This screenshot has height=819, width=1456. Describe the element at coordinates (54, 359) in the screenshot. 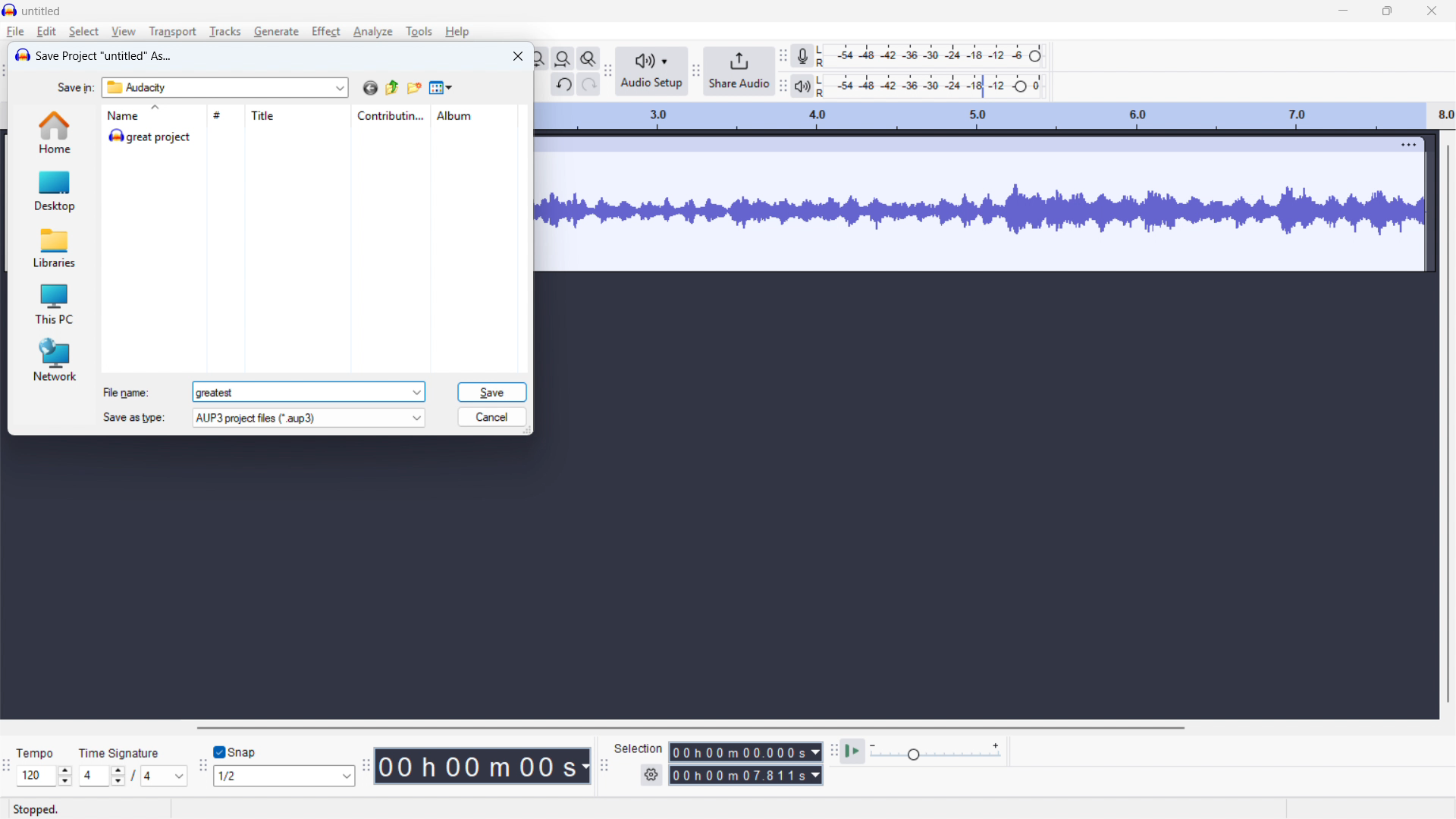

I see `network` at that location.